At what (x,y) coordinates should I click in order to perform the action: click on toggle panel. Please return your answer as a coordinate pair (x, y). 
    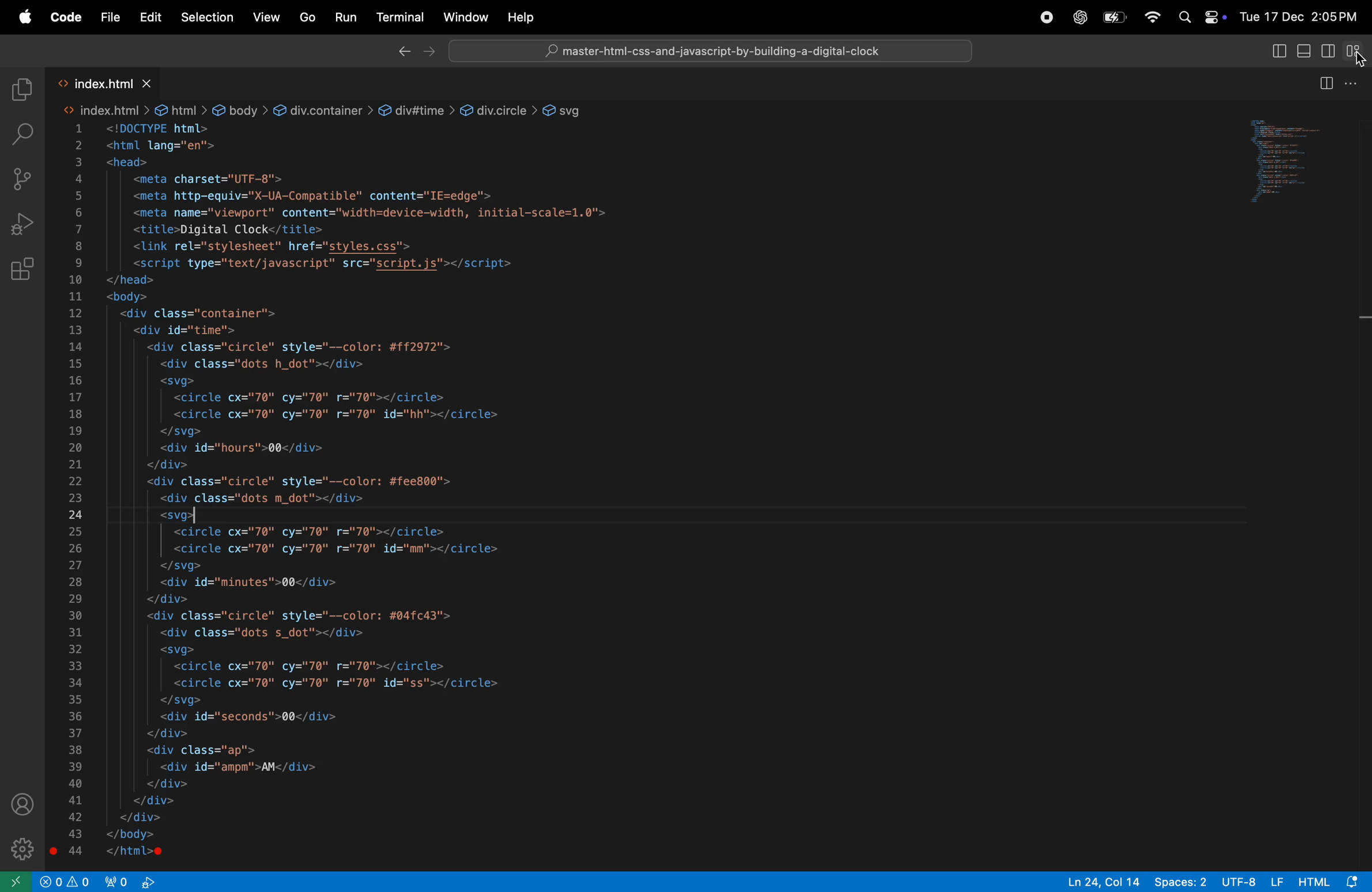
    Looking at the image, I should click on (1276, 52).